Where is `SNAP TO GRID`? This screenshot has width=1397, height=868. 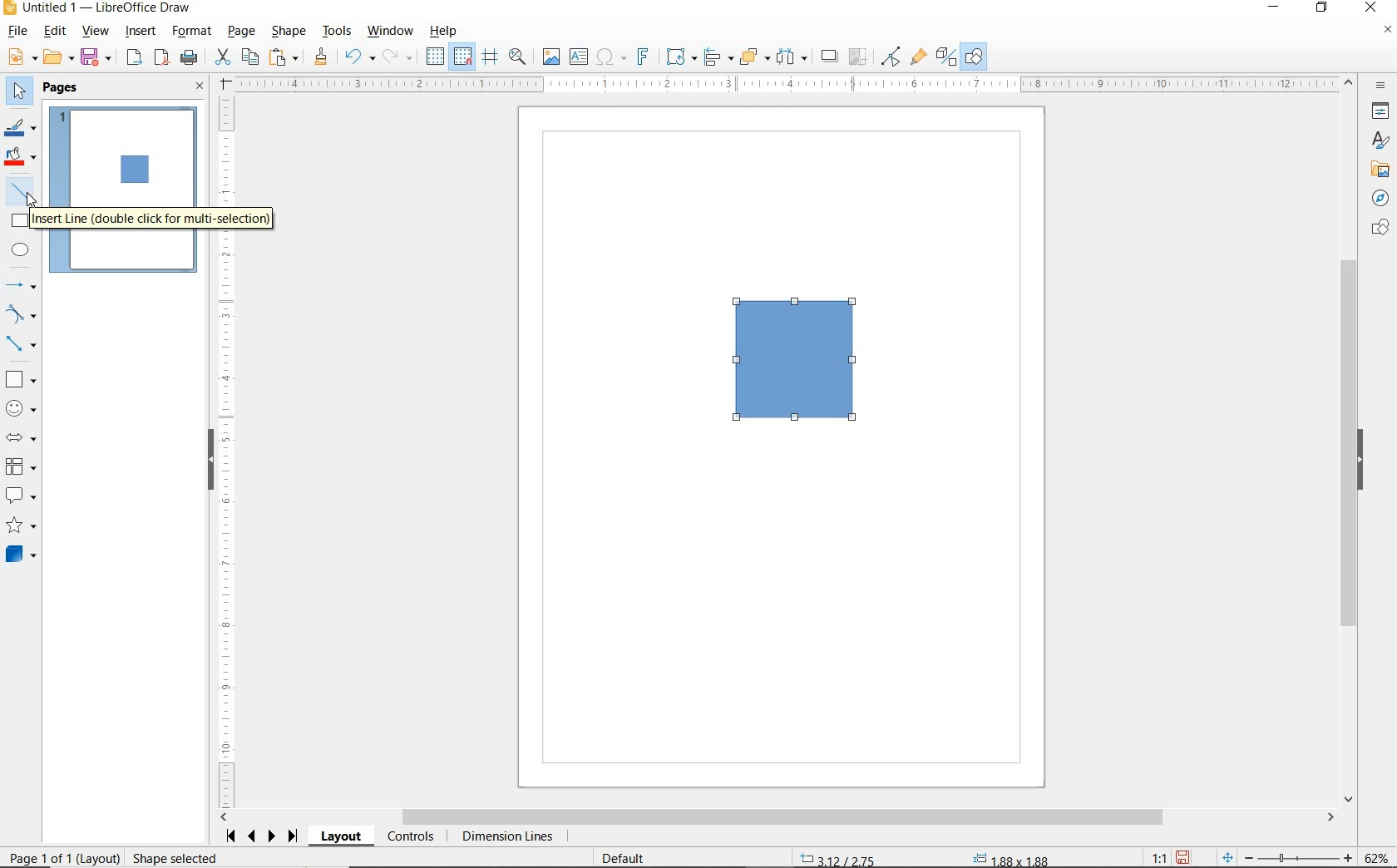
SNAP TO GRID is located at coordinates (463, 57).